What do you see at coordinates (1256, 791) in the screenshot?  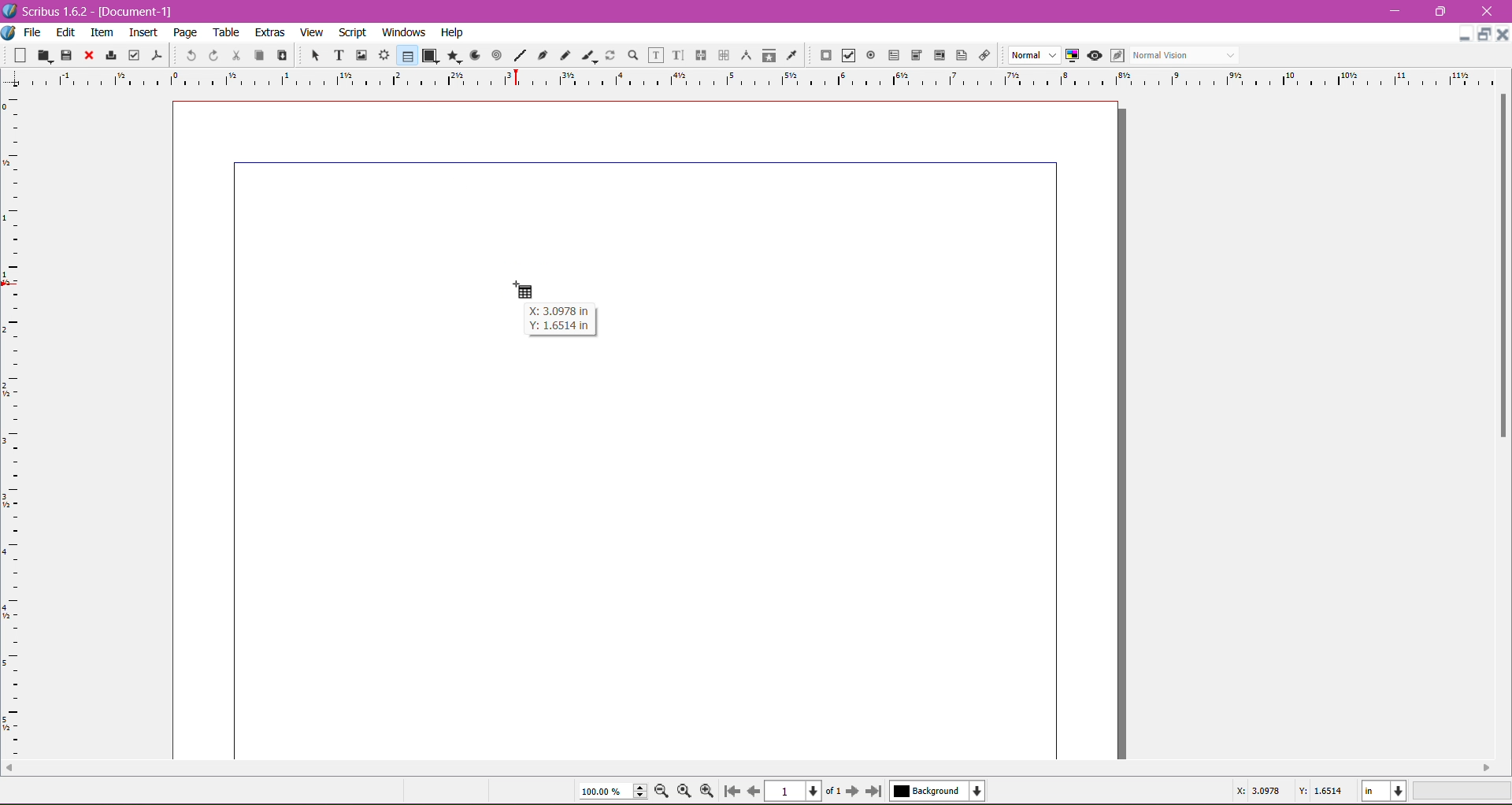 I see `X: 3.097` at bounding box center [1256, 791].